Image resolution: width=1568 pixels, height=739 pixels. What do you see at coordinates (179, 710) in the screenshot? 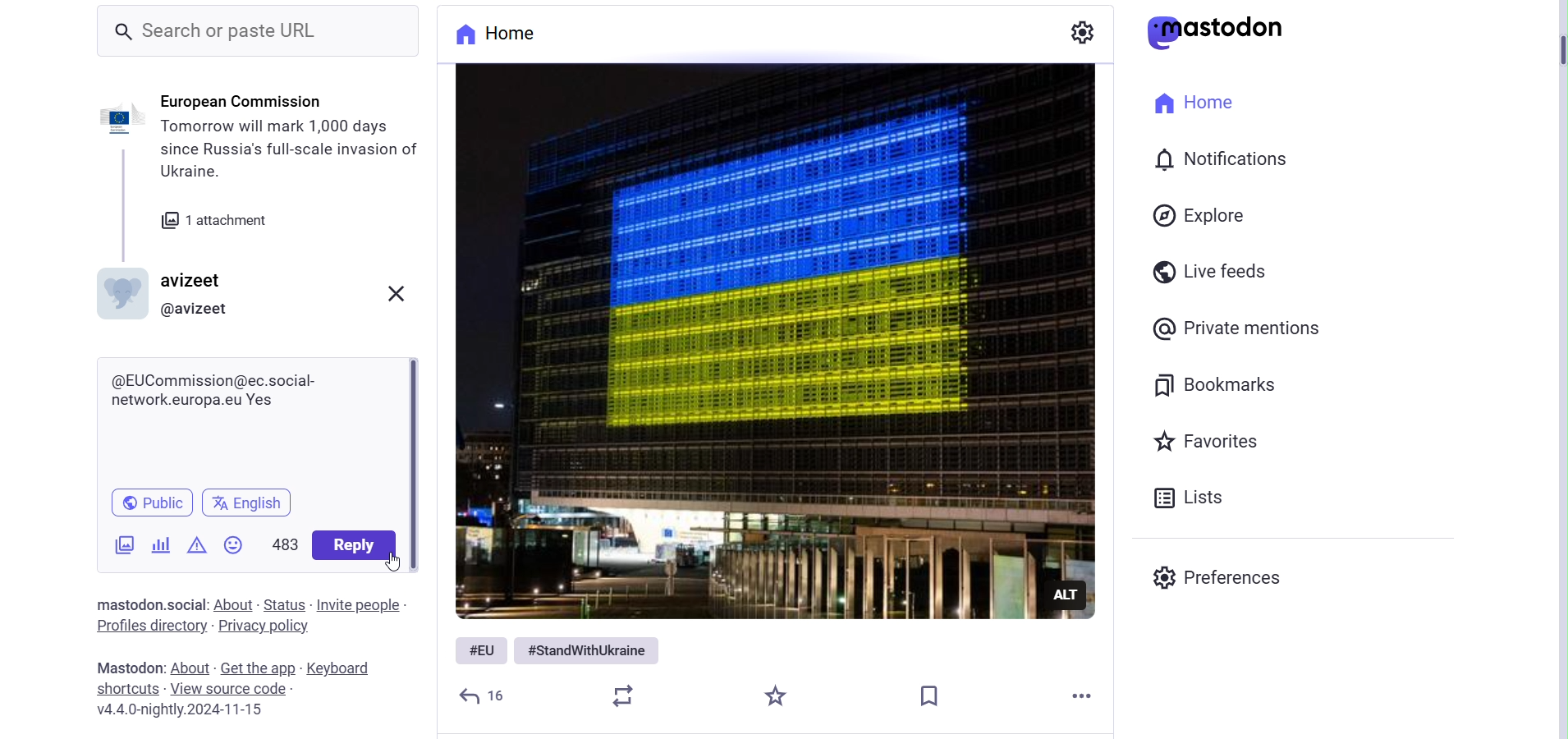
I see `Version` at bounding box center [179, 710].